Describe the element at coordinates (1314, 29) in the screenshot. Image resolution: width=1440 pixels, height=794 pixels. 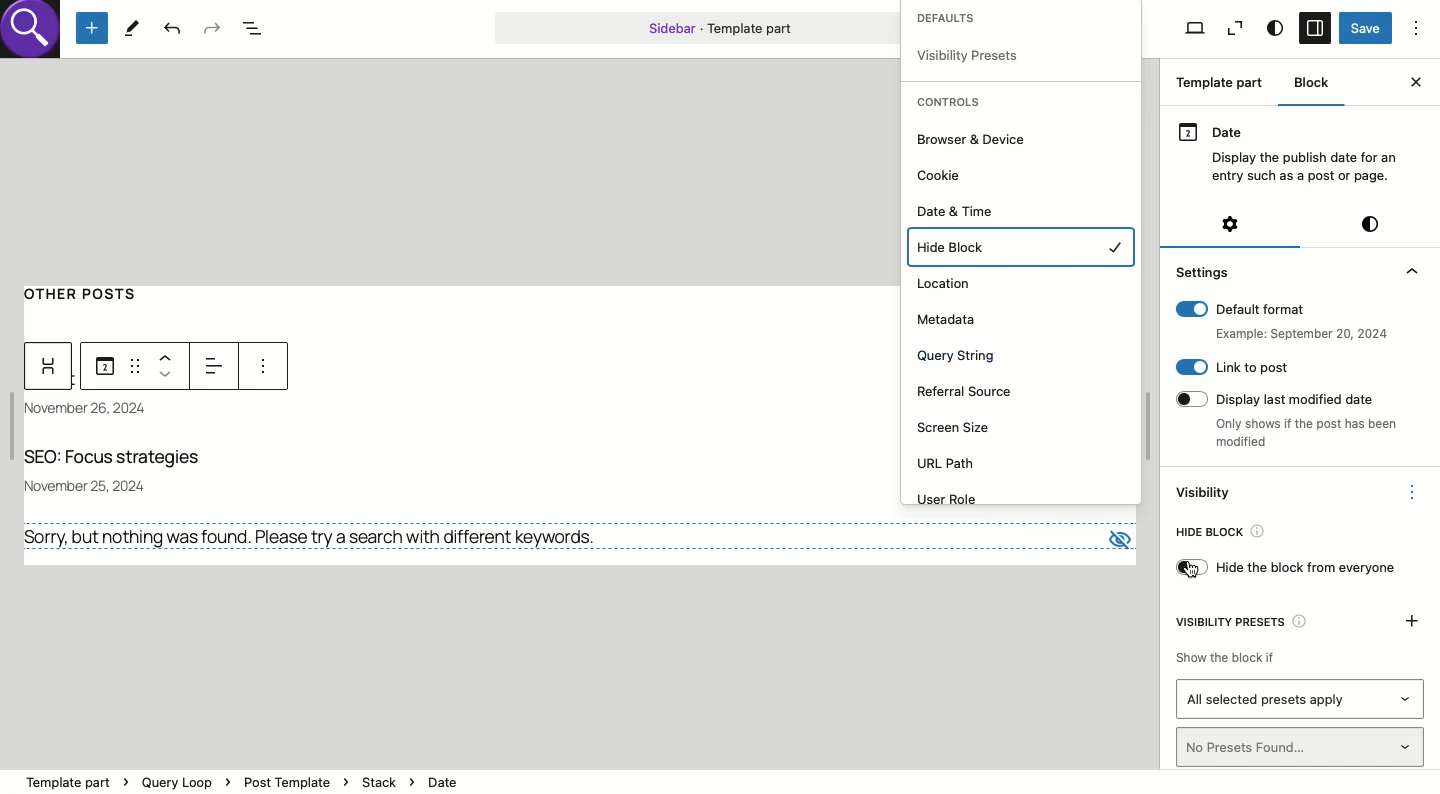
I see `Sidebar ` at that location.